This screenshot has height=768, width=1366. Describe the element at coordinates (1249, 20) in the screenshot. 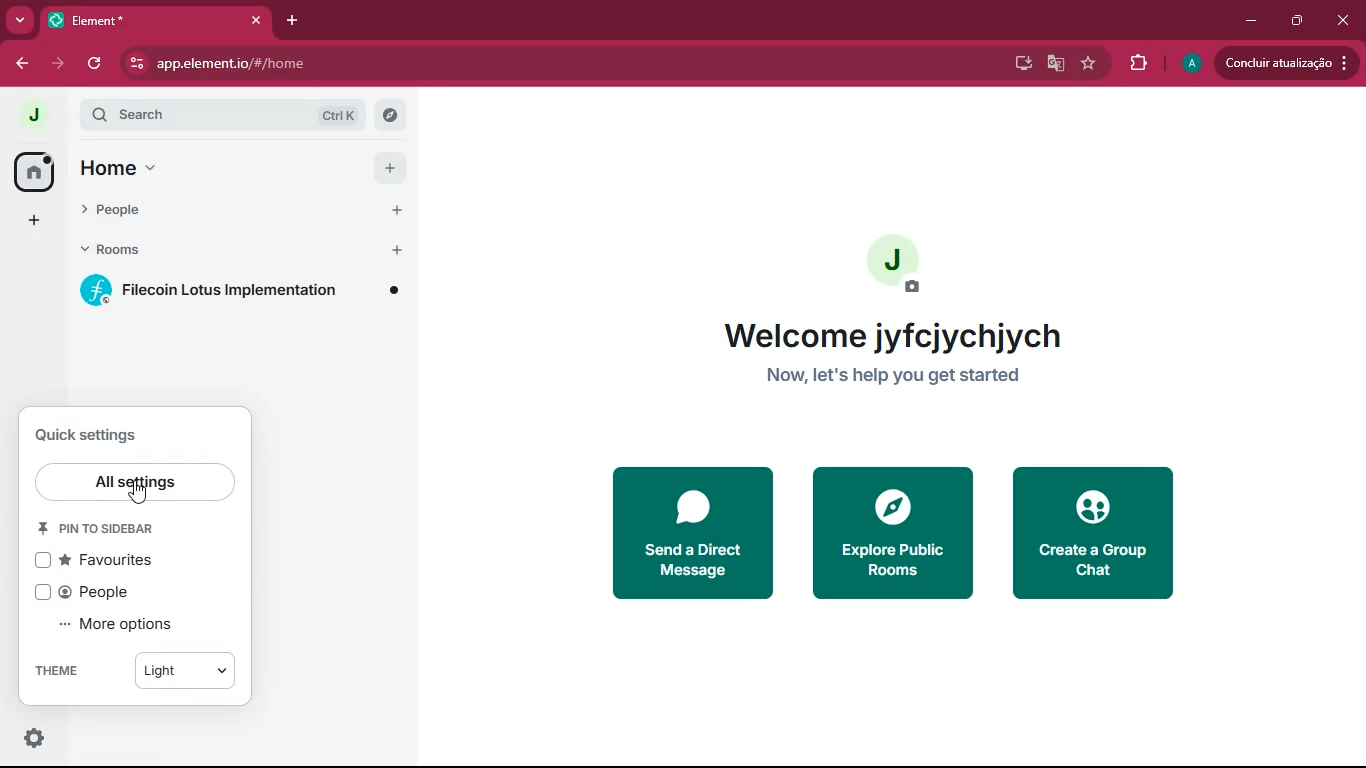

I see `minimize` at that location.